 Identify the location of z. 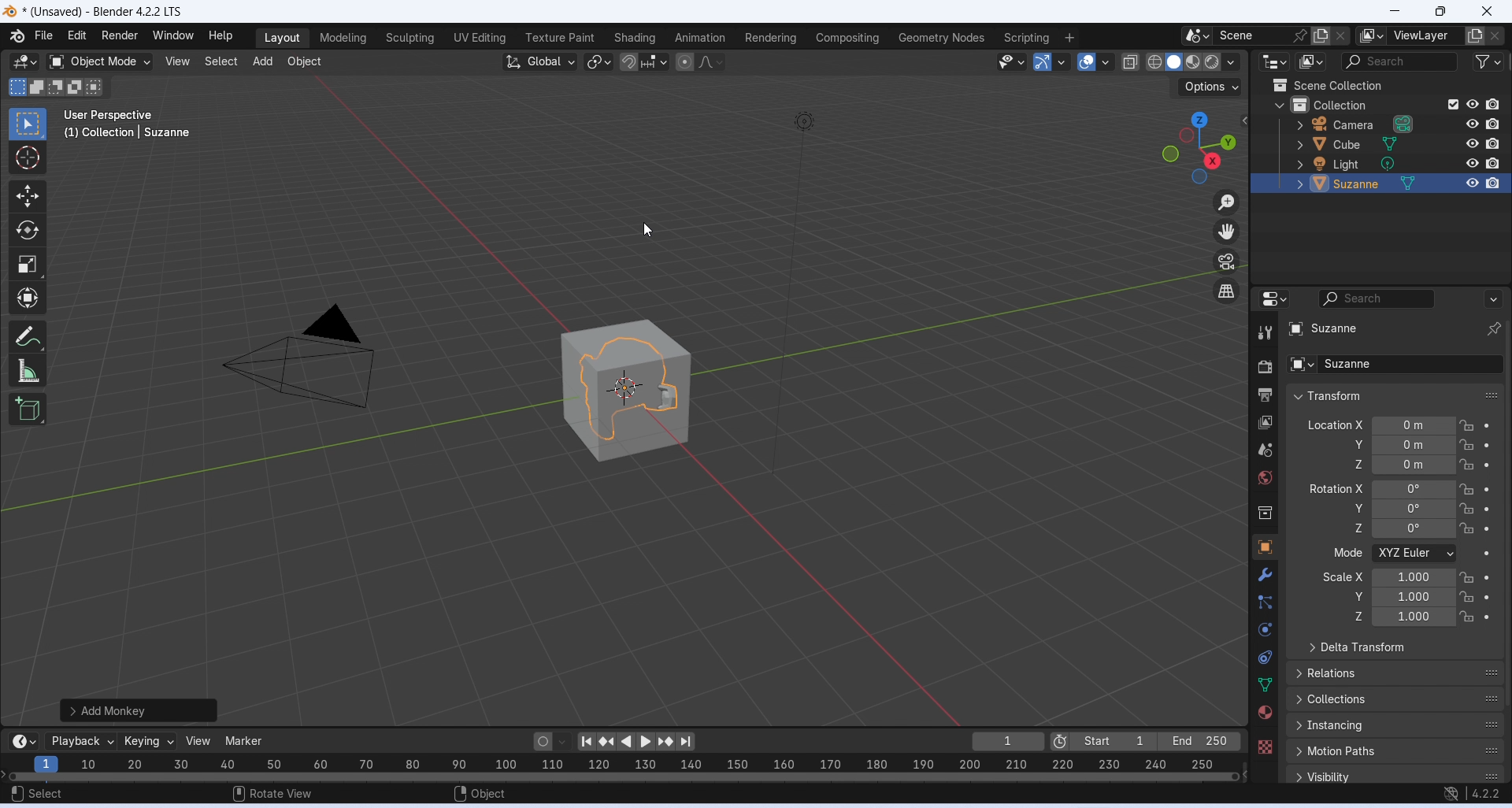
(1347, 528).